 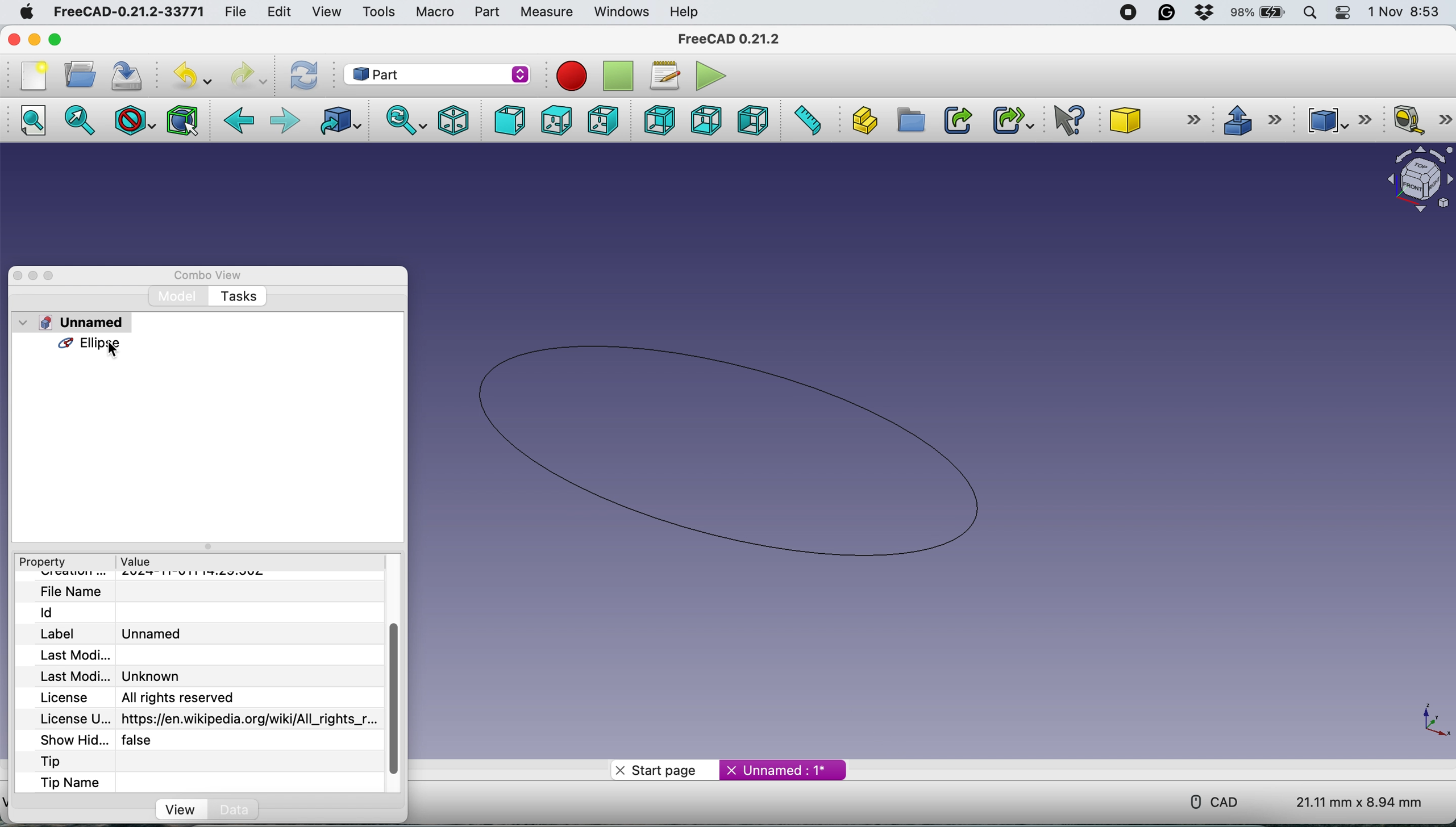 What do you see at coordinates (181, 295) in the screenshot?
I see `model` at bounding box center [181, 295].